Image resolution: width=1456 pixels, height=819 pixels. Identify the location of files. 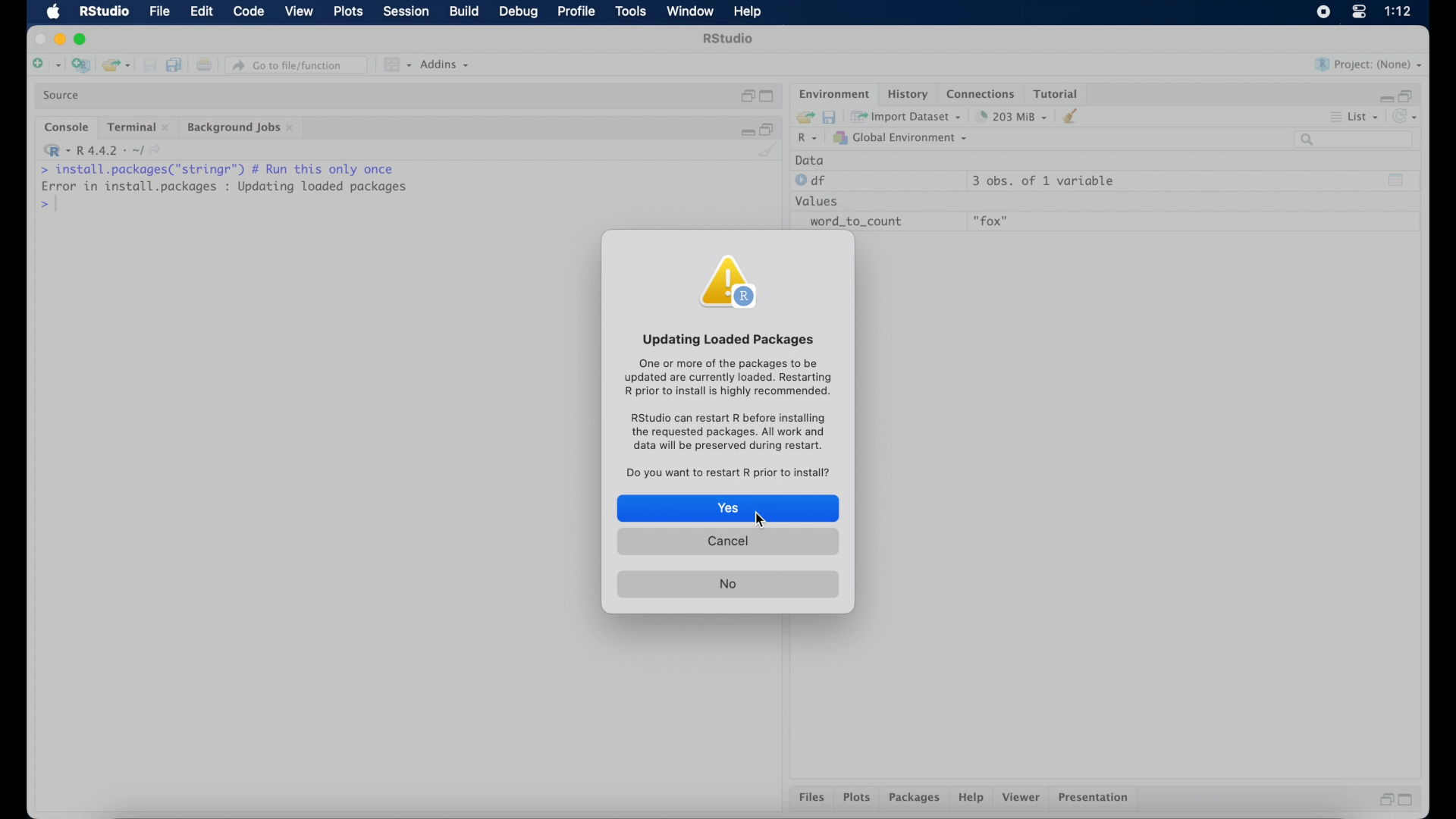
(814, 798).